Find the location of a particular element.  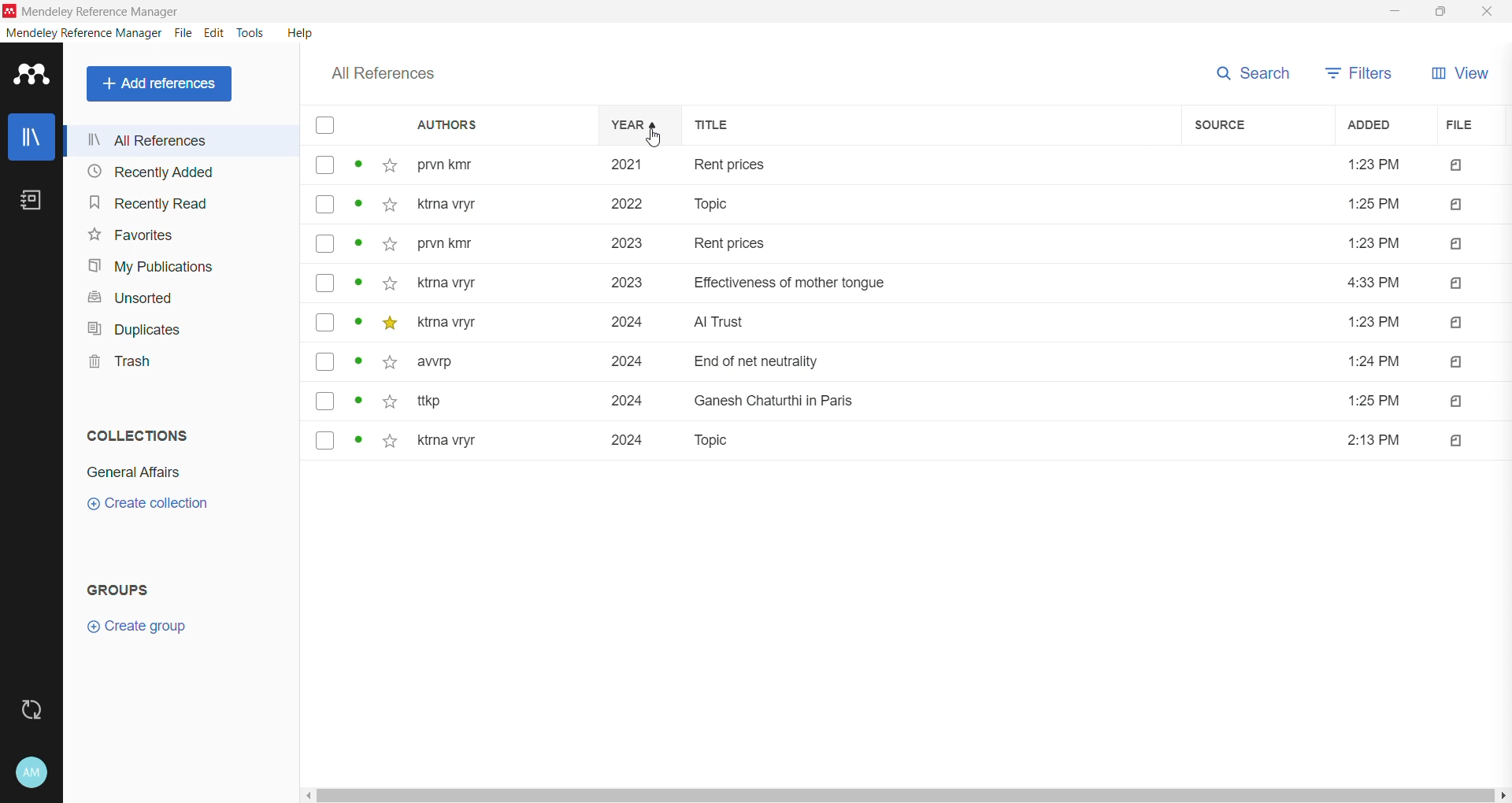

2024 is located at coordinates (628, 362).